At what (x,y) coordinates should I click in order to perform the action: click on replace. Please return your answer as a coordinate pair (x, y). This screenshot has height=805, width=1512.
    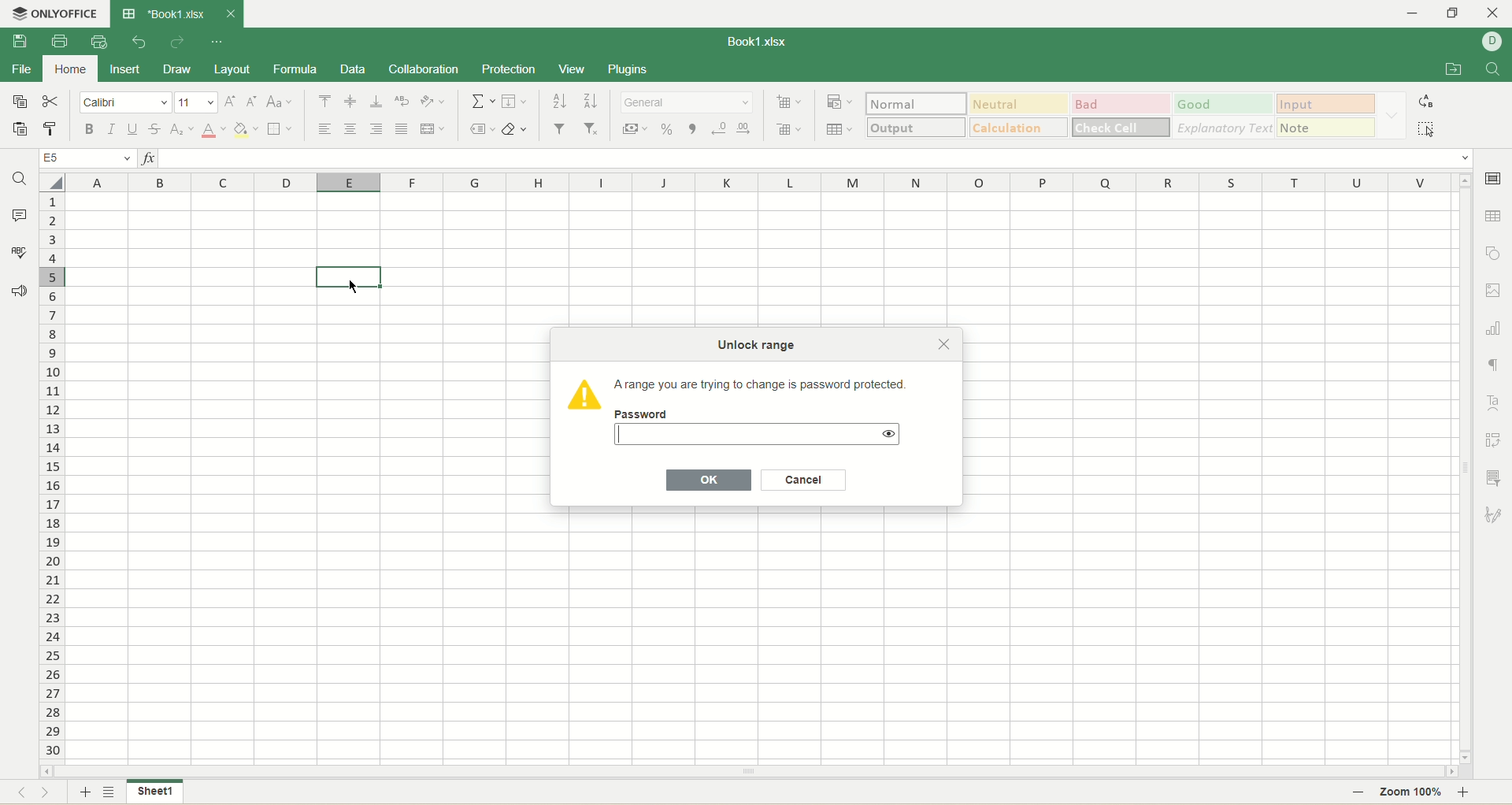
    Looking at the image, I should click on (1430, 103).